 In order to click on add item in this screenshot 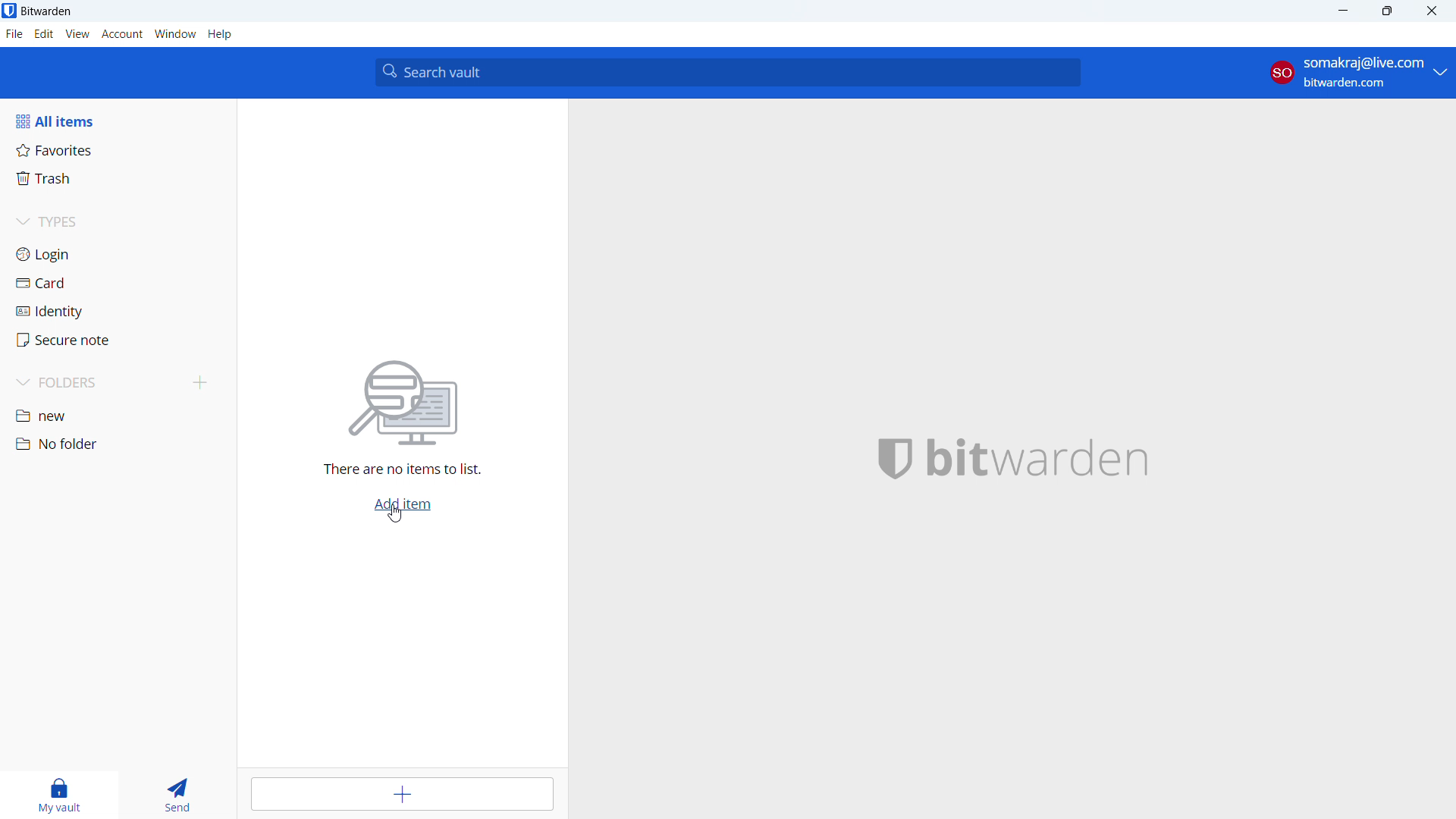, I will do `click(405, 794)`.